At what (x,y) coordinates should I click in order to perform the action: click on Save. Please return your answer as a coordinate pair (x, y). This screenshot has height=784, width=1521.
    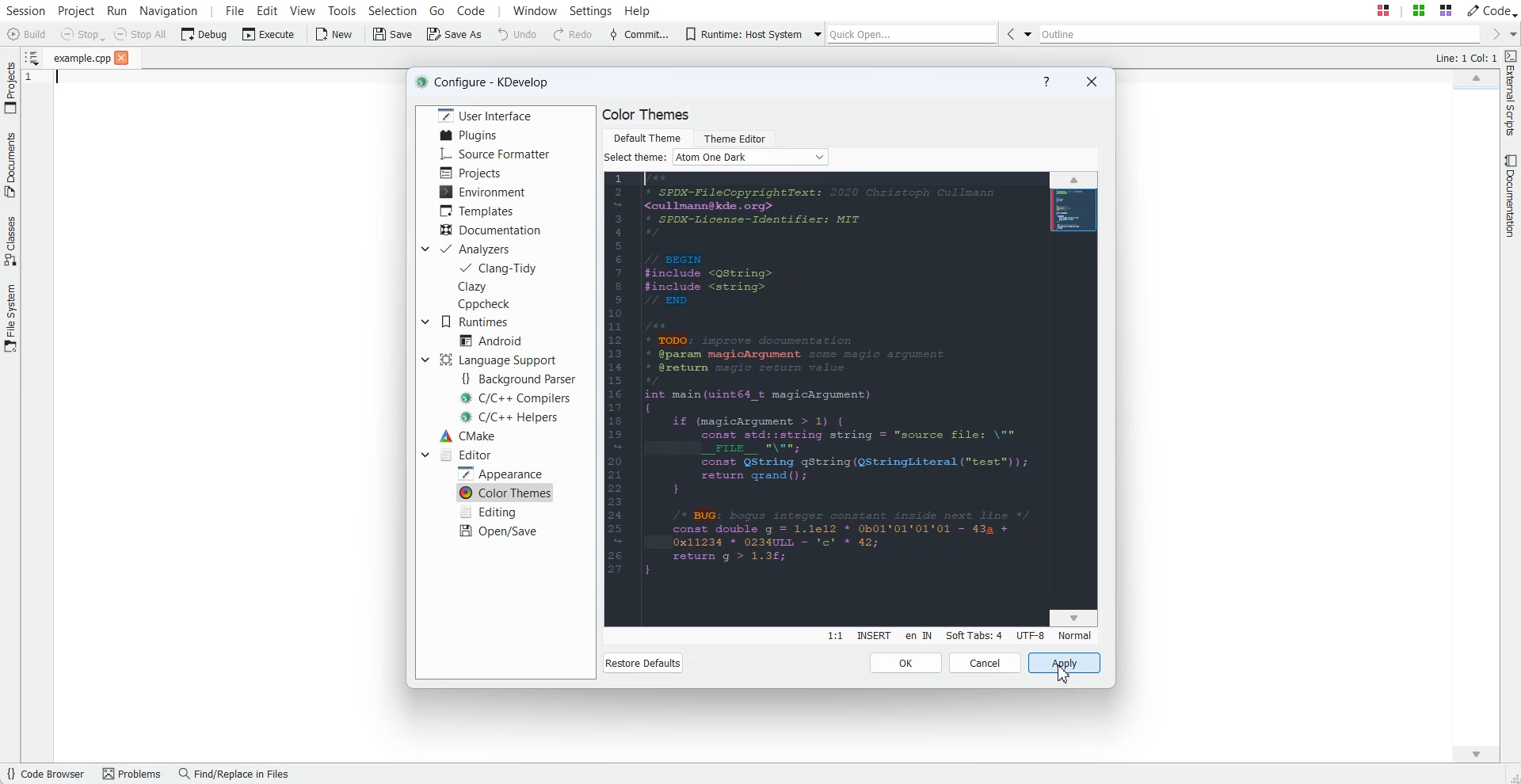
    Looking at the image, I should click on (393, 35).